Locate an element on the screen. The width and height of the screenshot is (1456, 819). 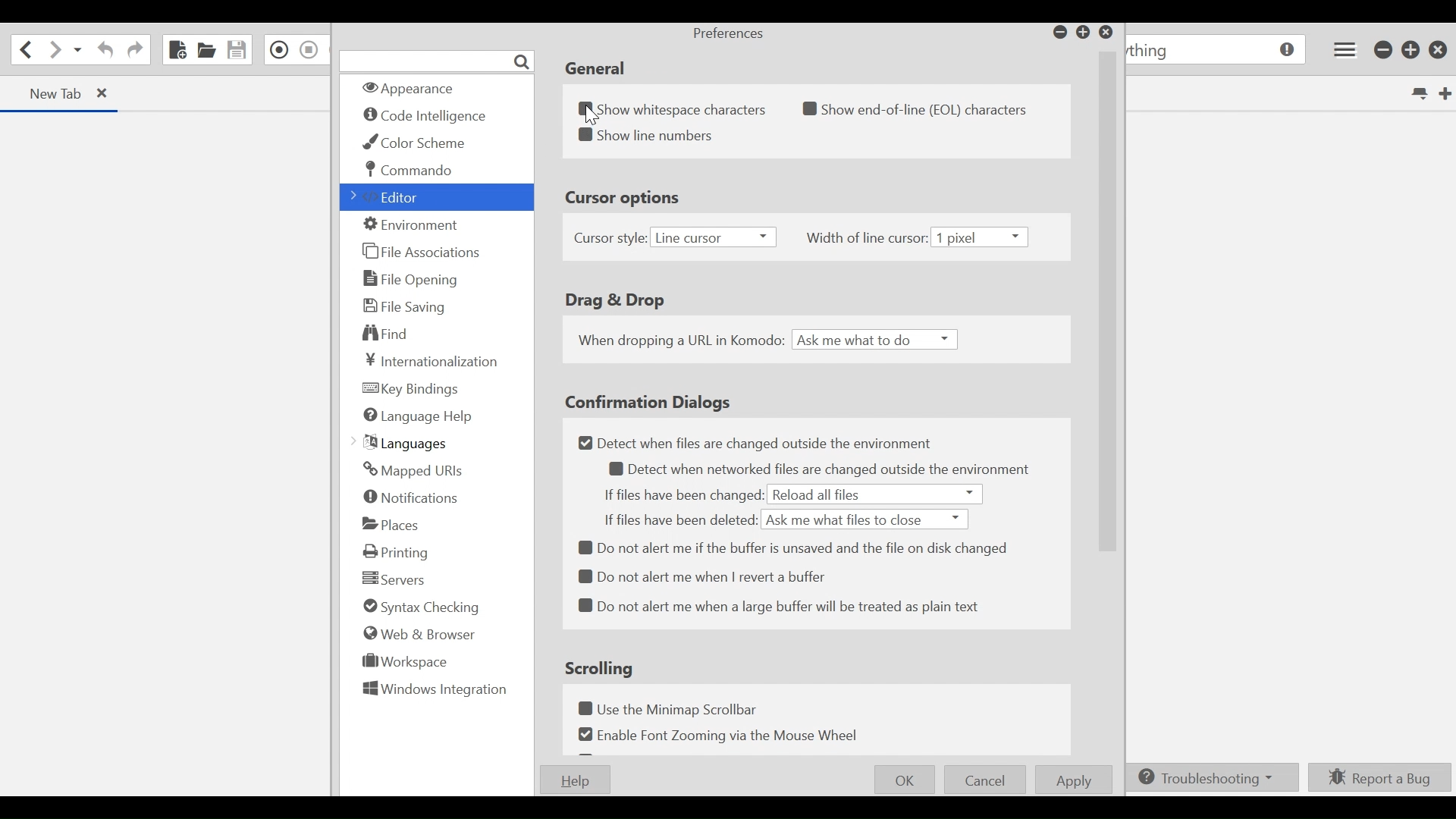
Preferences is located at coordinates (733, 33).